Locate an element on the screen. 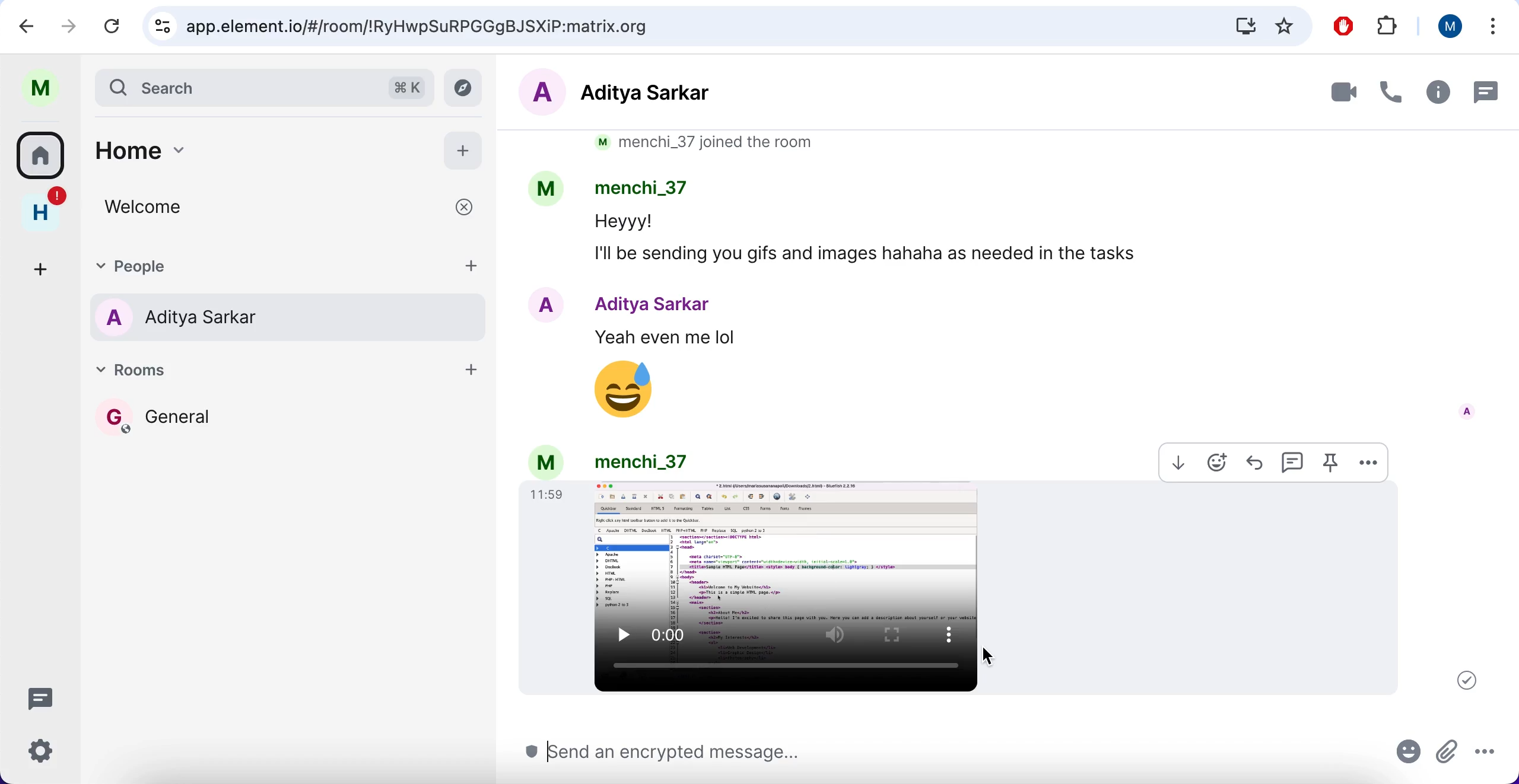 Image resolution: width=1519 pixels, height=784 pixels. emoji is located at coordinates (1217, 463).